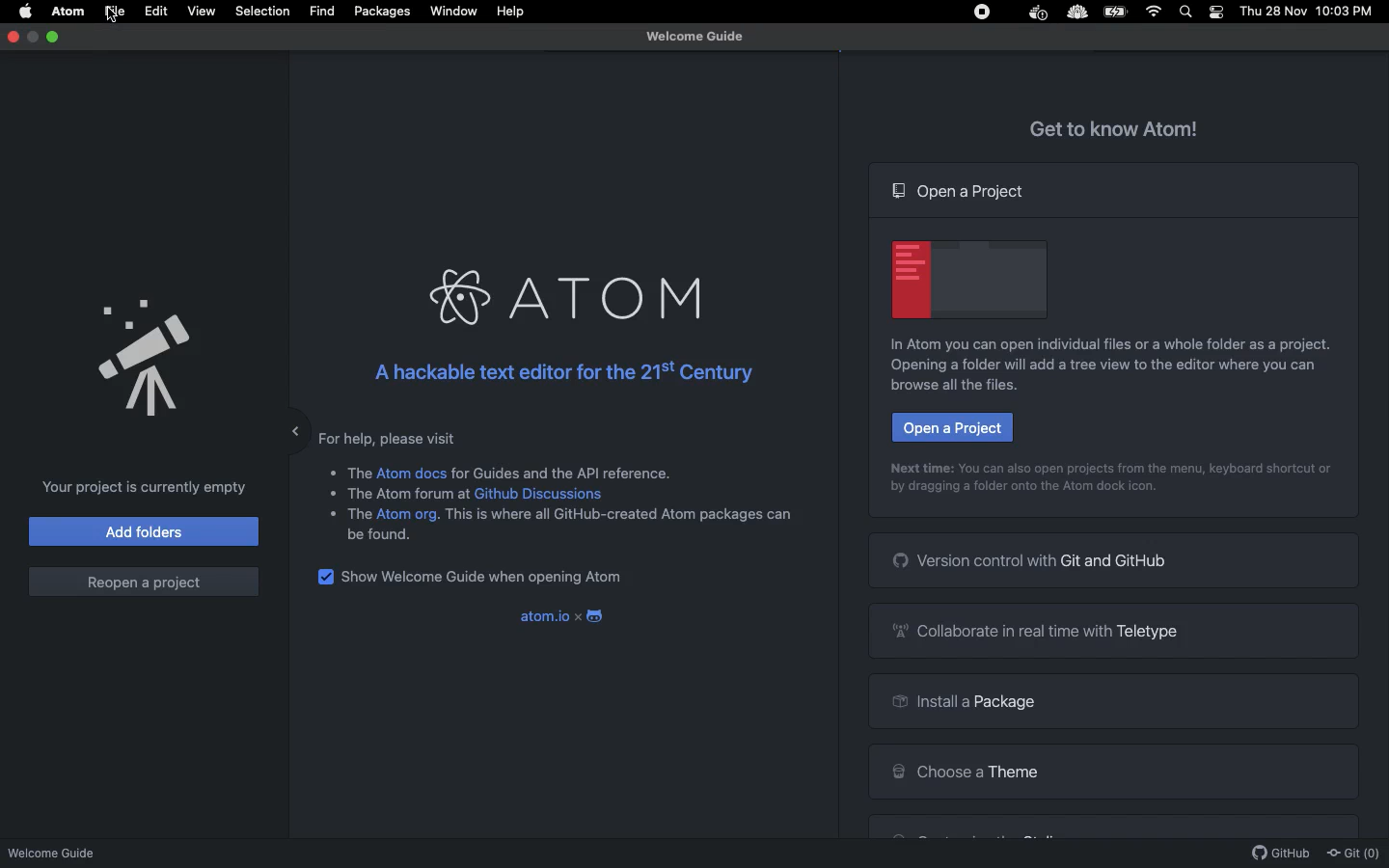 This screenshot has width=1389, height=868. I want to click on Atom, so click(561, 298).